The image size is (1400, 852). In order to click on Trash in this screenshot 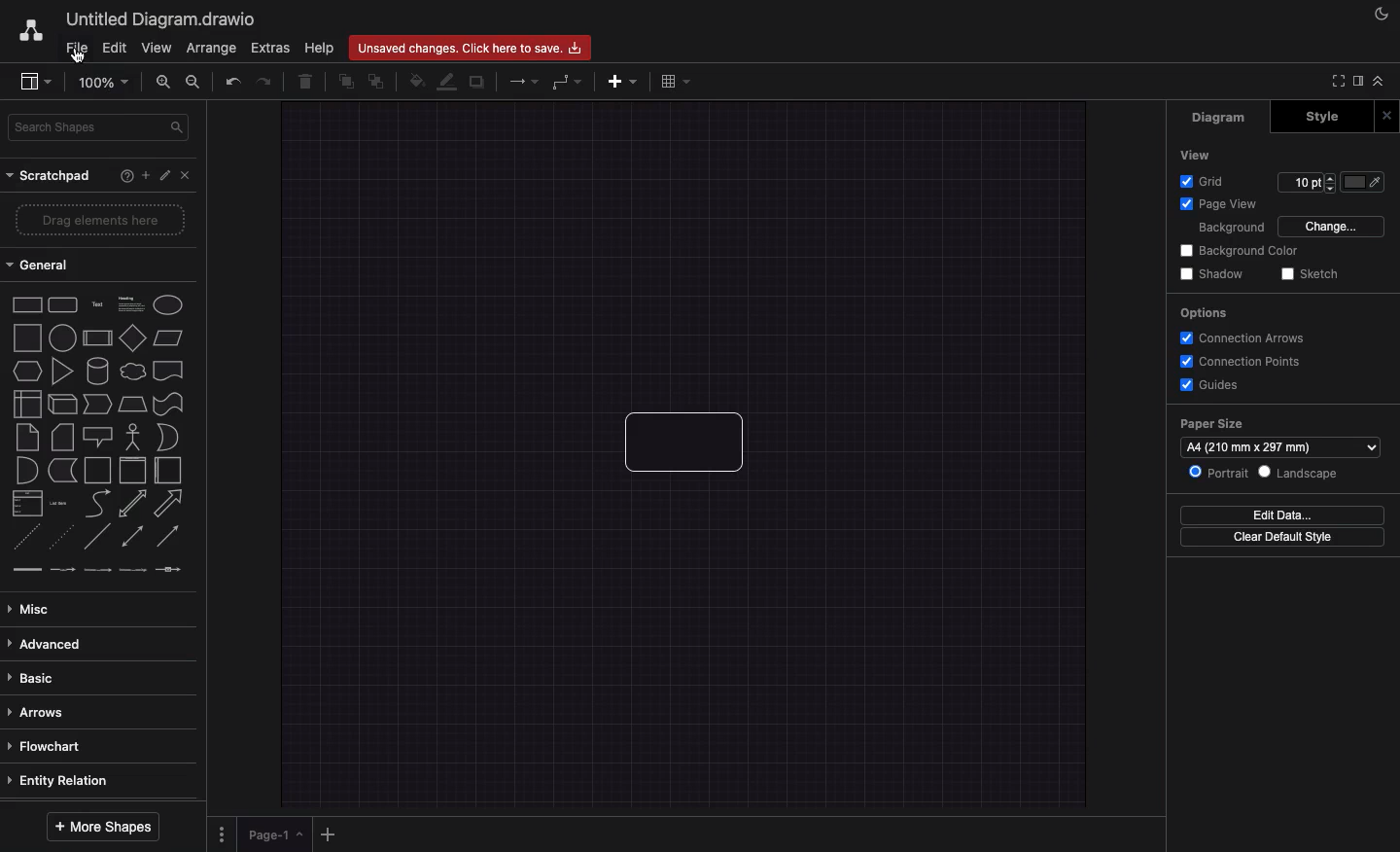, I will do `click(305, 83)`.